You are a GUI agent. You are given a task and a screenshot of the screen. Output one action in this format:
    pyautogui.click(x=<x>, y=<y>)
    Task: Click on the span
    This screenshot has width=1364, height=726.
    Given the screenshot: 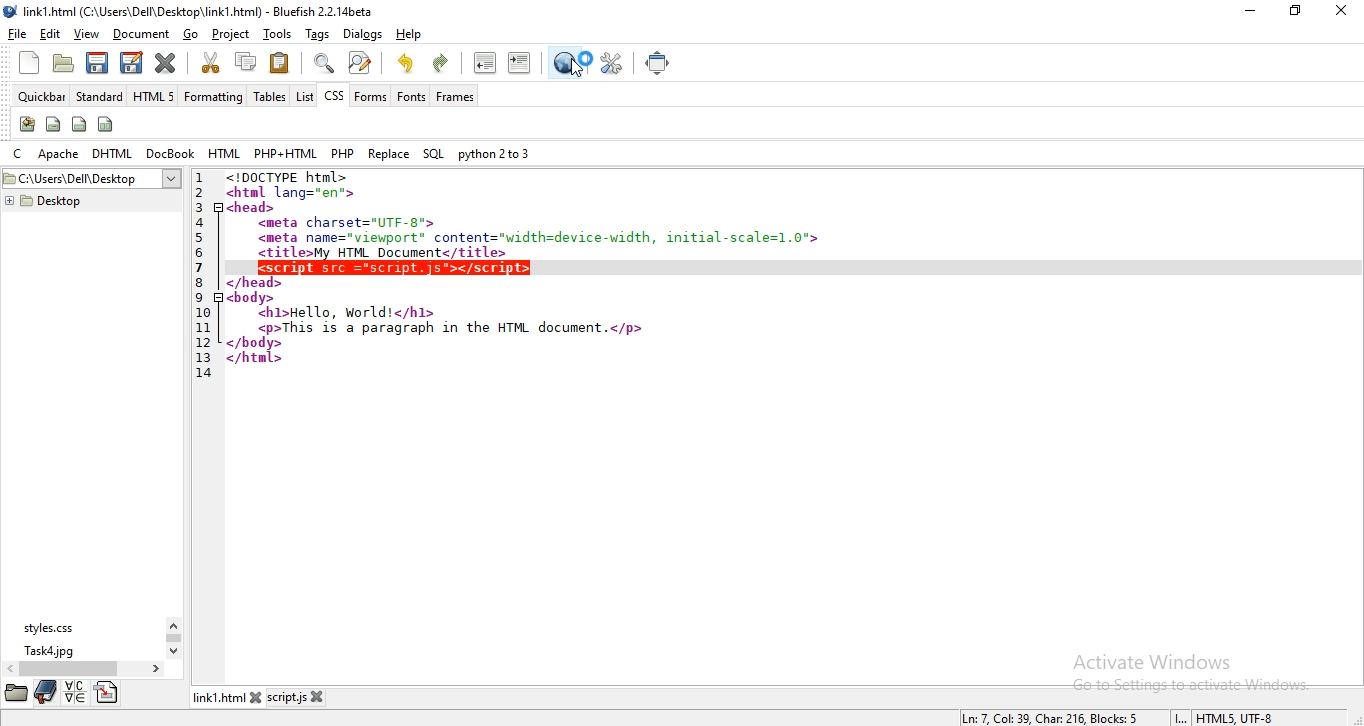 What is the action you would take?
    pyautogui.click(x=52, y=124)
    